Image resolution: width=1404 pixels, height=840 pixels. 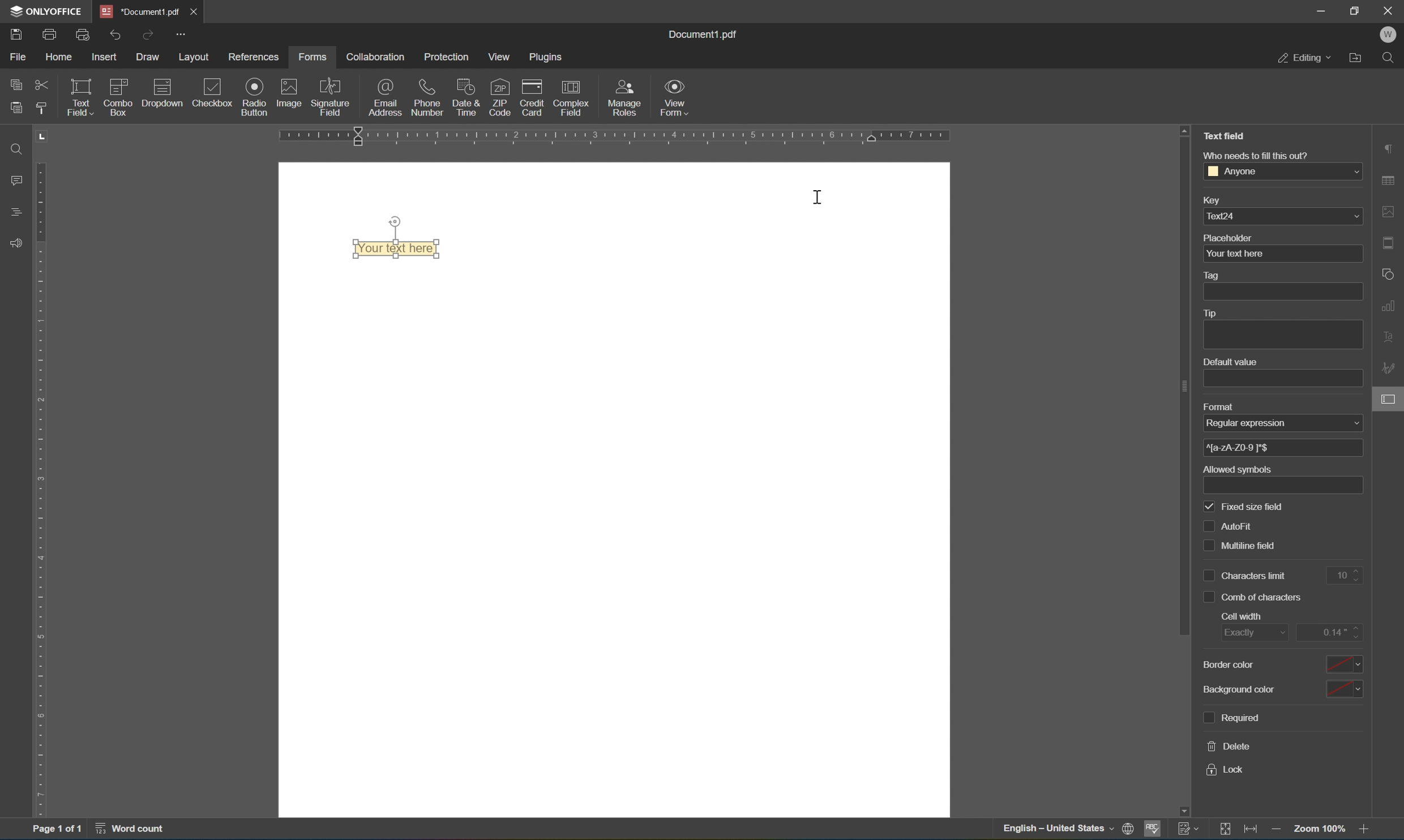 I want to click on ruler, so click(x=44, y=488).